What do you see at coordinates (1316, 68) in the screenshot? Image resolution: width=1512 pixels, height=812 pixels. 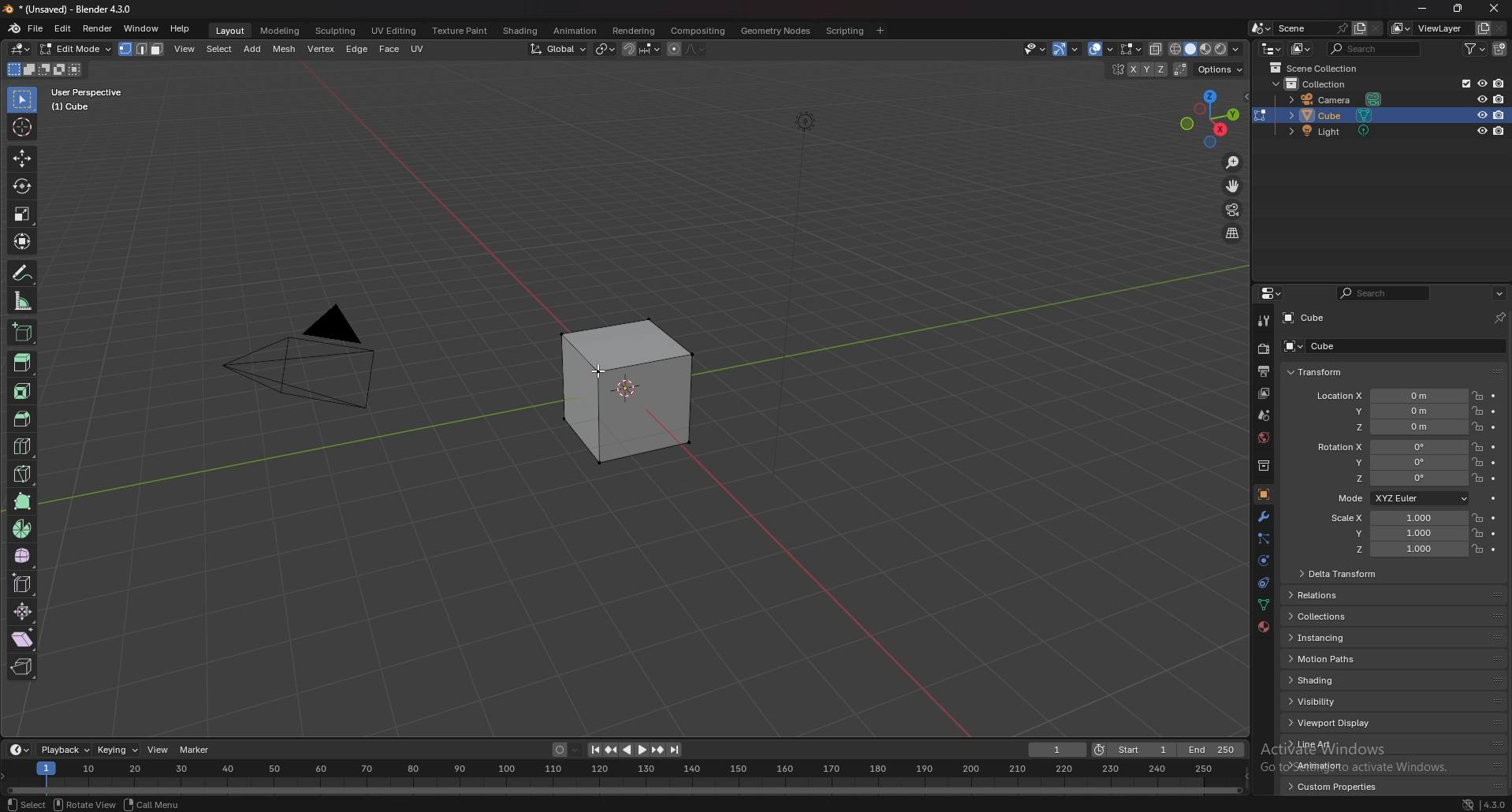 I see `scene collection` at bounding box center [1316, 68].